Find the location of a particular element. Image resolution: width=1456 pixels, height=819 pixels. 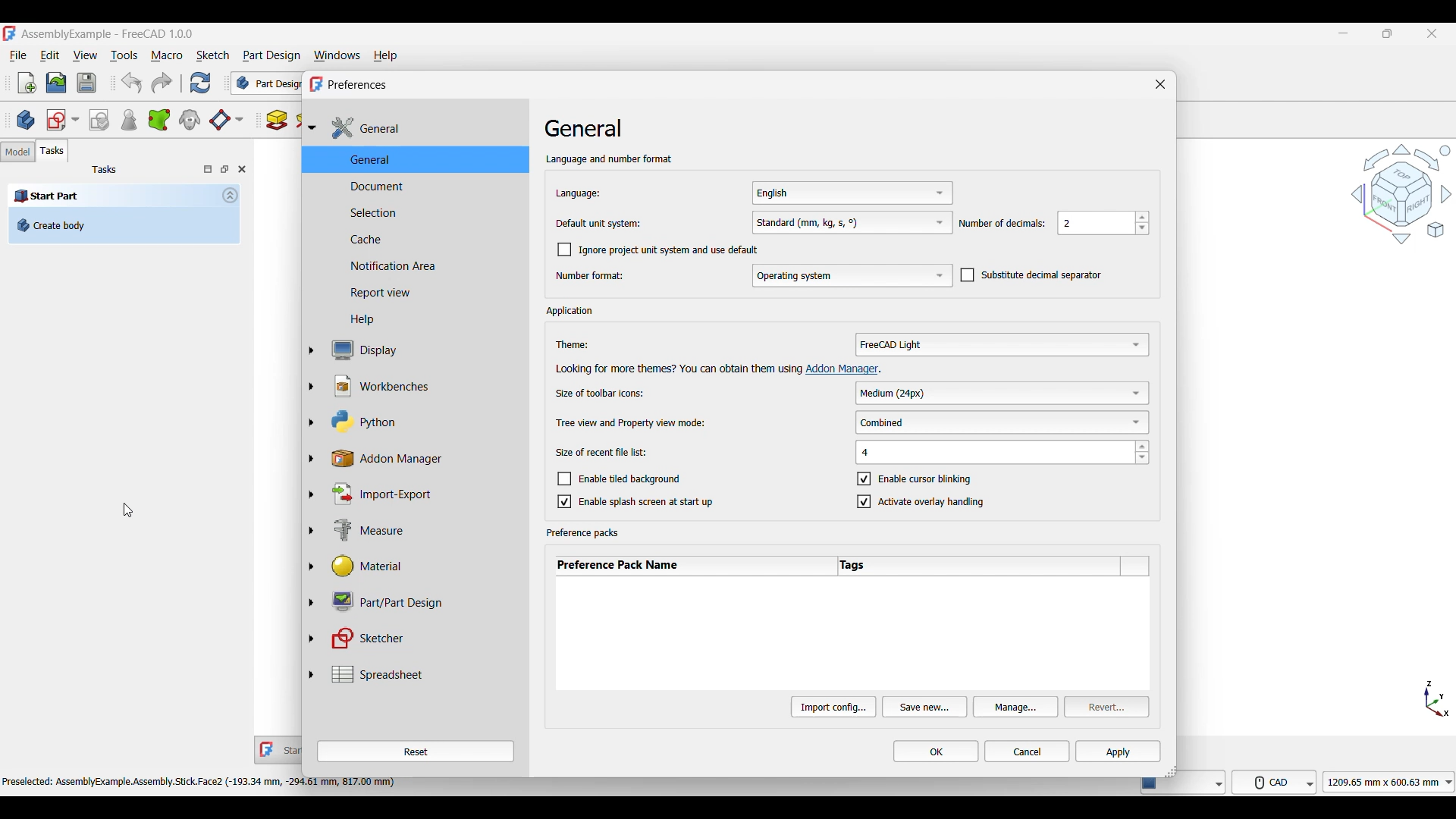

Sketch menu is located at coordinates (212, 56).